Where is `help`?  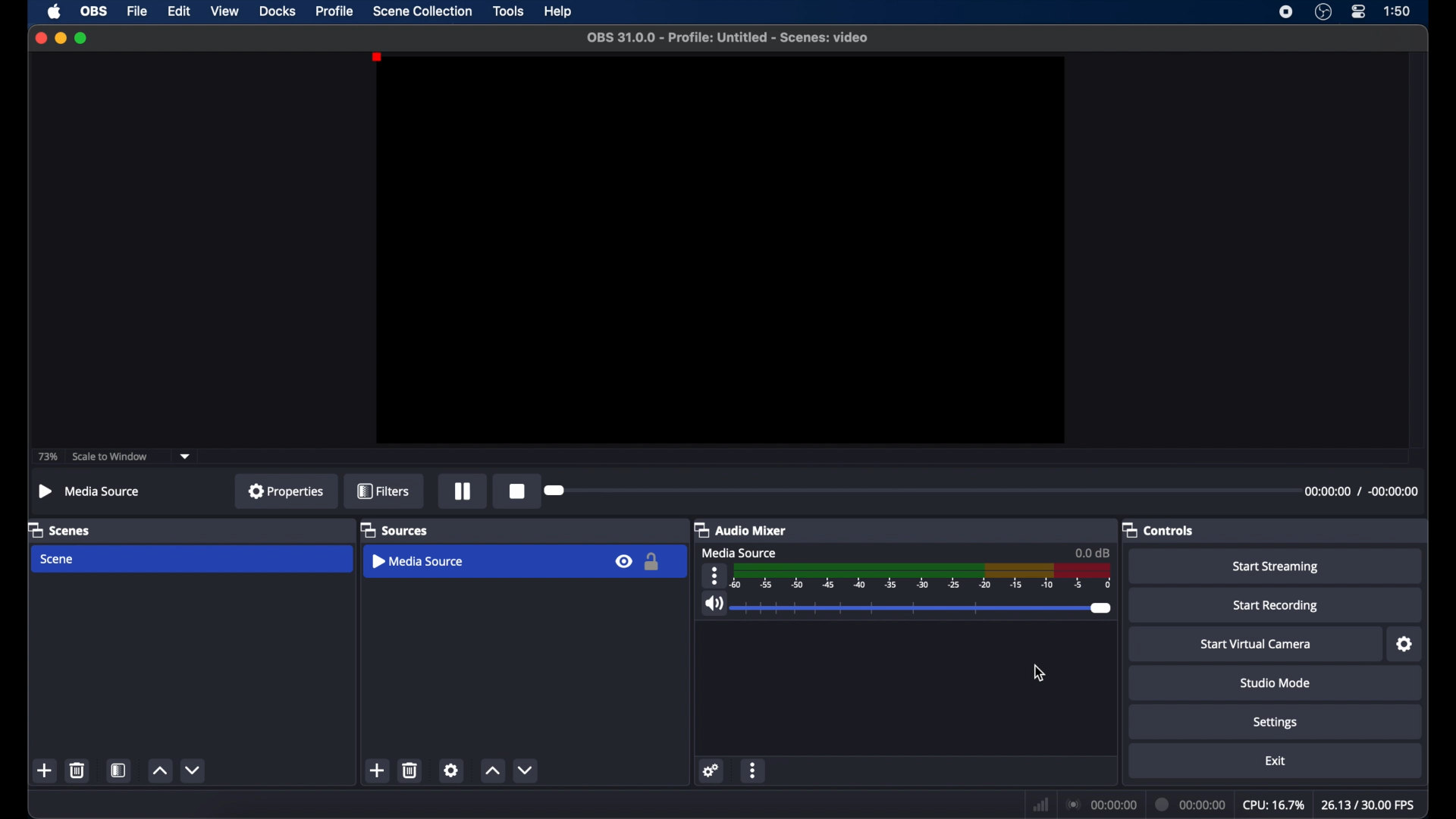
help is located at coordinates (558, 12).